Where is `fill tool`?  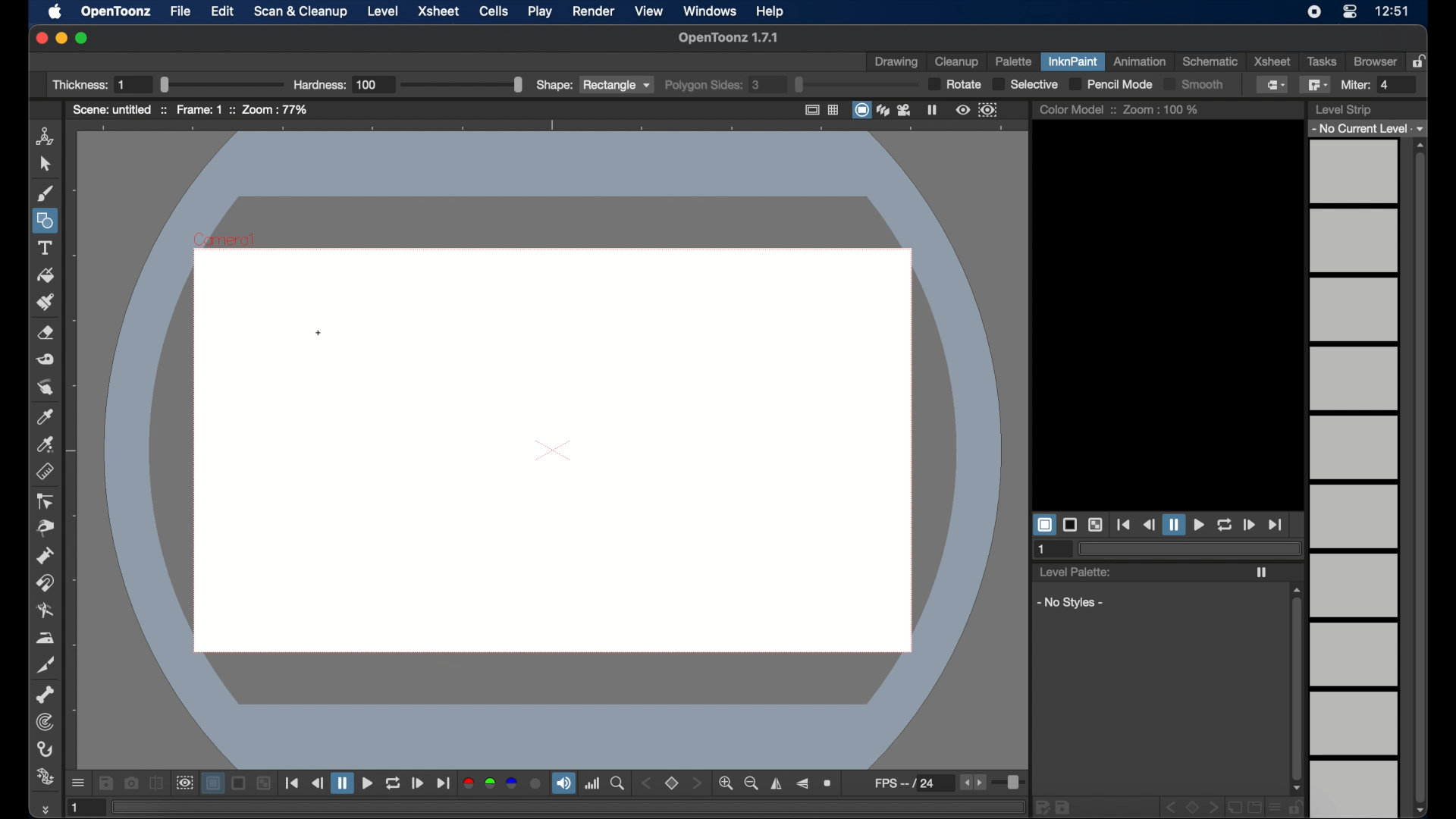
fill tool is located at coordinates (45, 276).